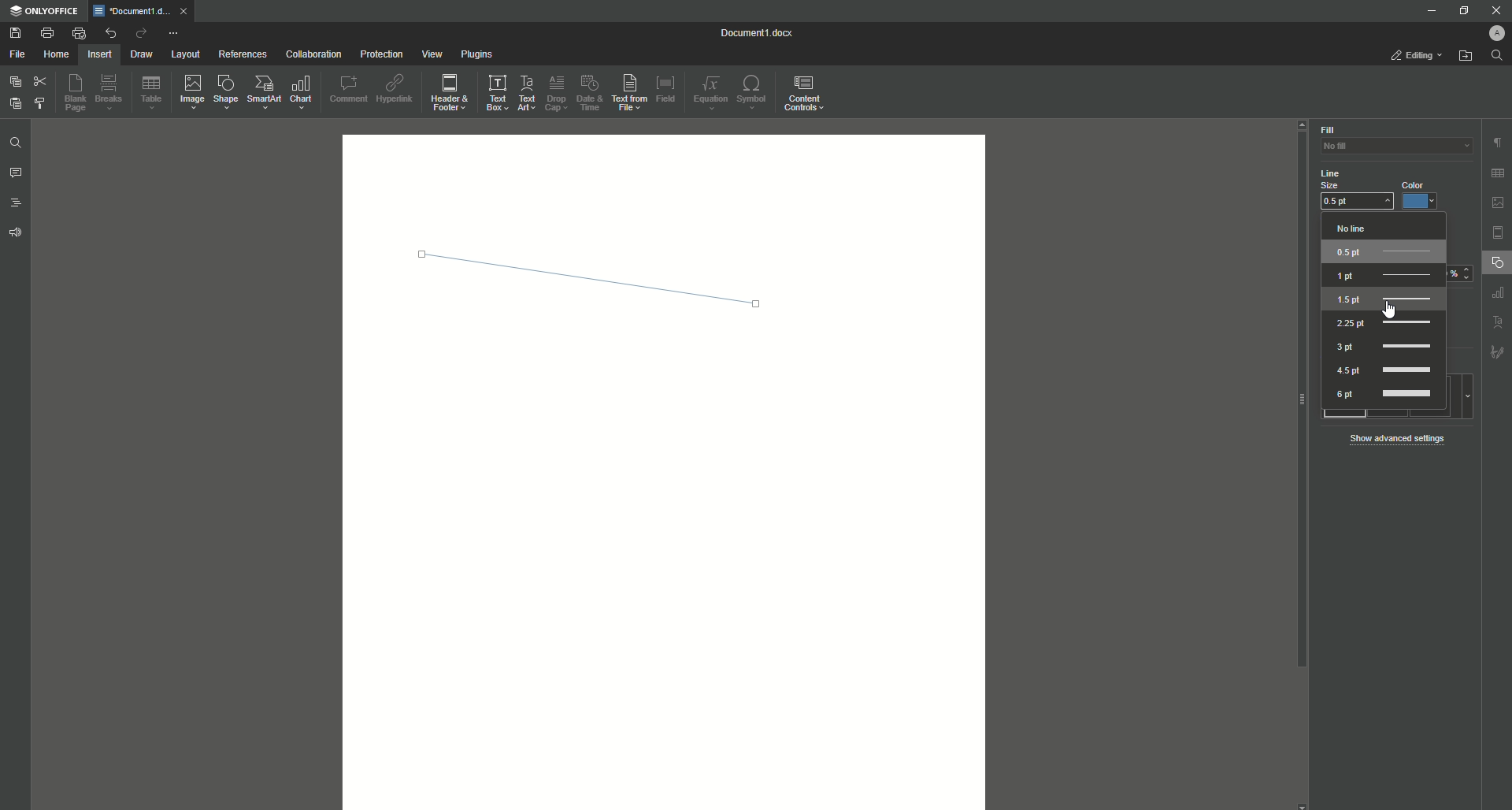 Image resolution: width=1512 pixels, height=810 pixels. I want to click on Drop Cap, so click(558, 92).